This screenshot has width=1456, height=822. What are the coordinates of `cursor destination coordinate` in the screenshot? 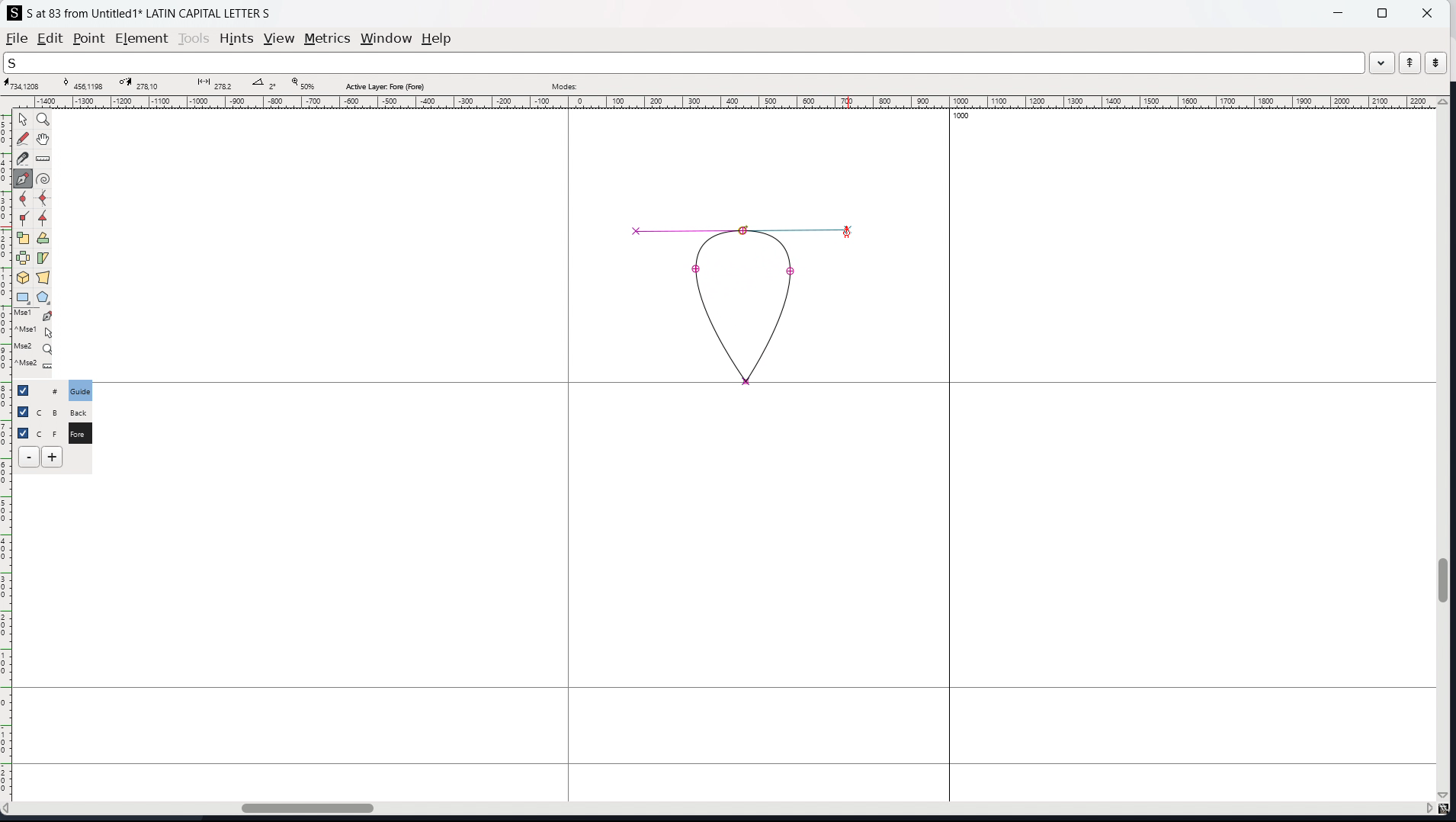 It's located at (144, 84).